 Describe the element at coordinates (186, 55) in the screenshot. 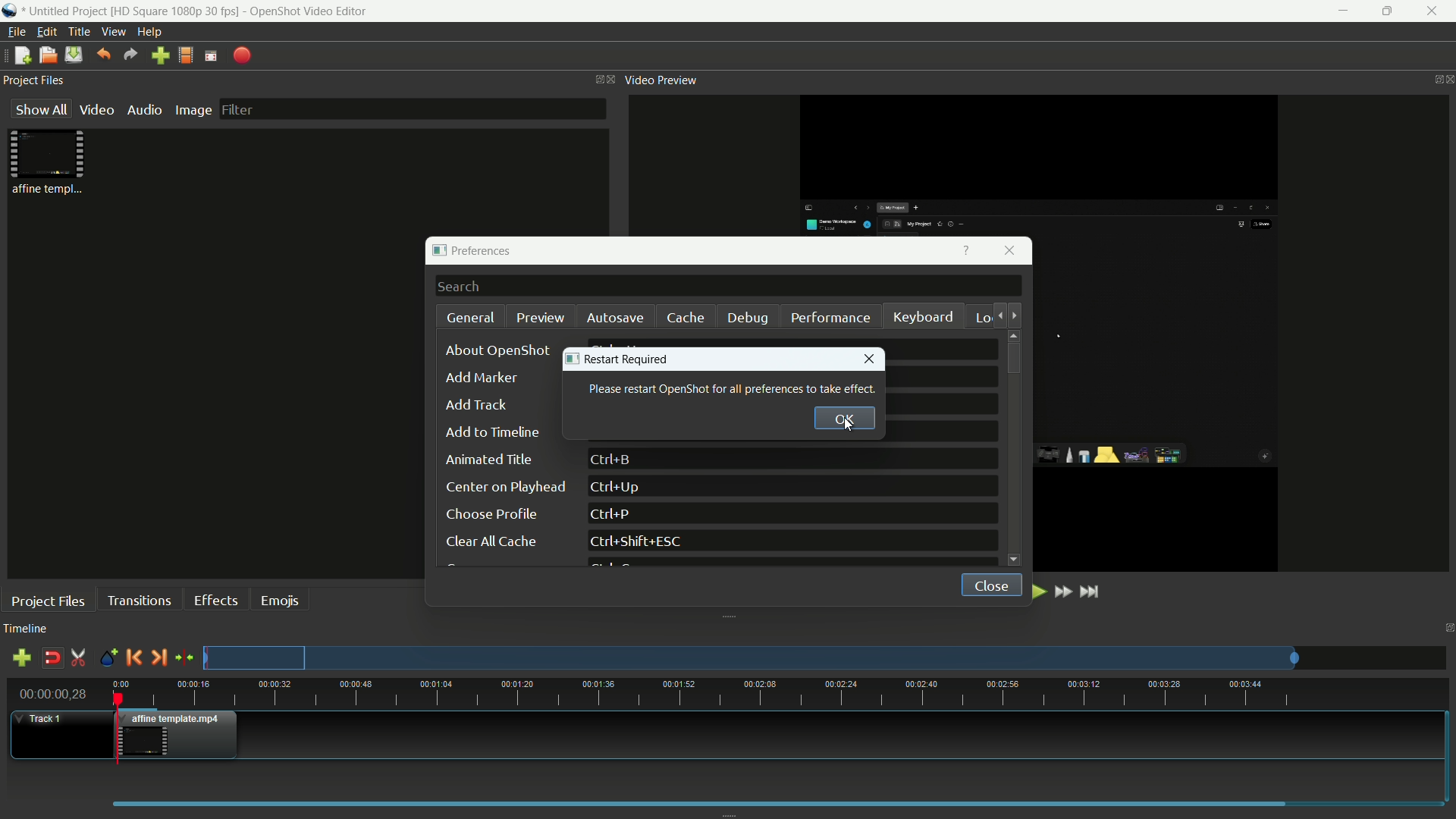

I see `profile` at that location.